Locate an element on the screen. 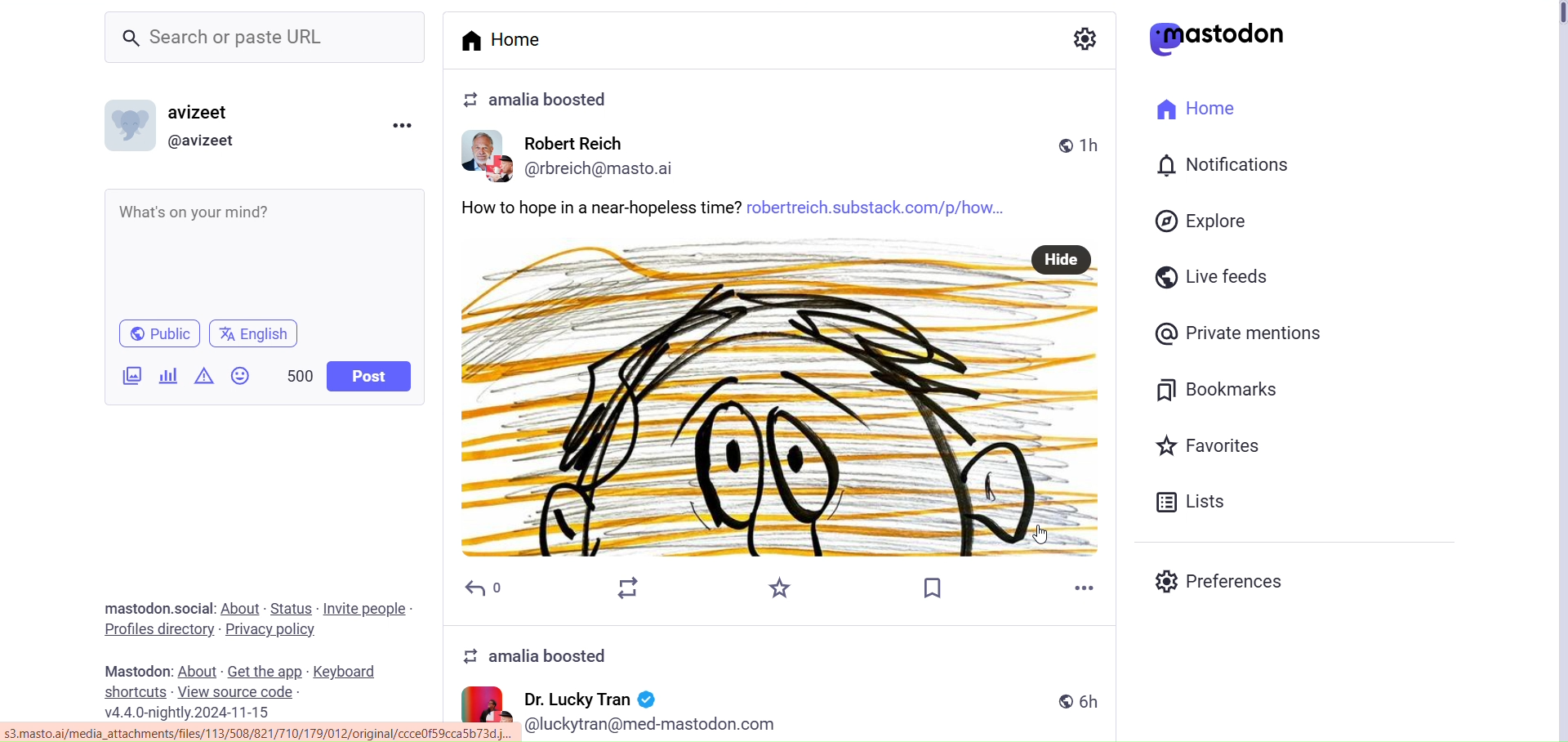  Logo is located at coordinates (1220, 38).